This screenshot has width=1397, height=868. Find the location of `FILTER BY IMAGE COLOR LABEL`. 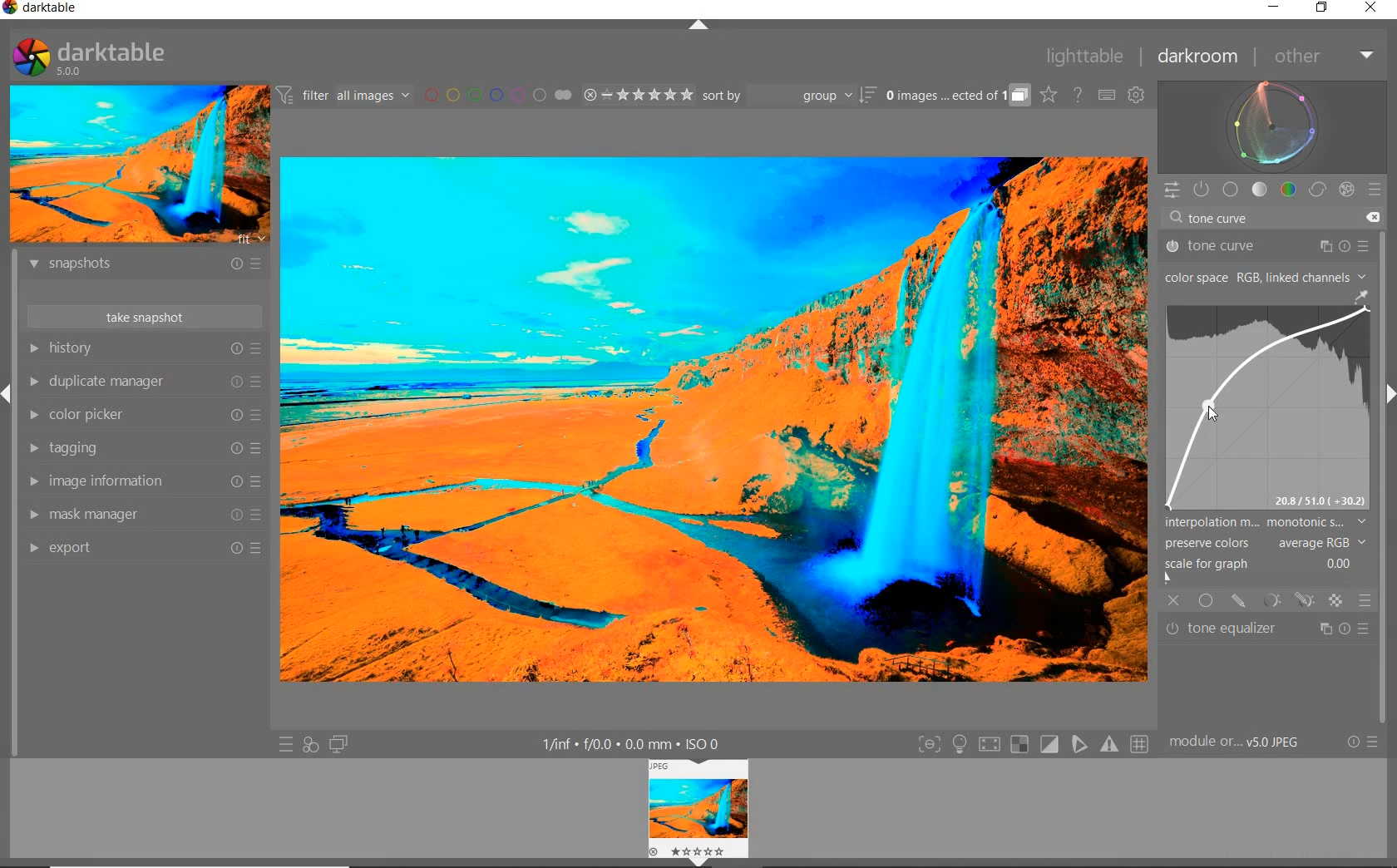

FILTER BY IMAGE COLOR LABEL is located at coordinates (499, 96).